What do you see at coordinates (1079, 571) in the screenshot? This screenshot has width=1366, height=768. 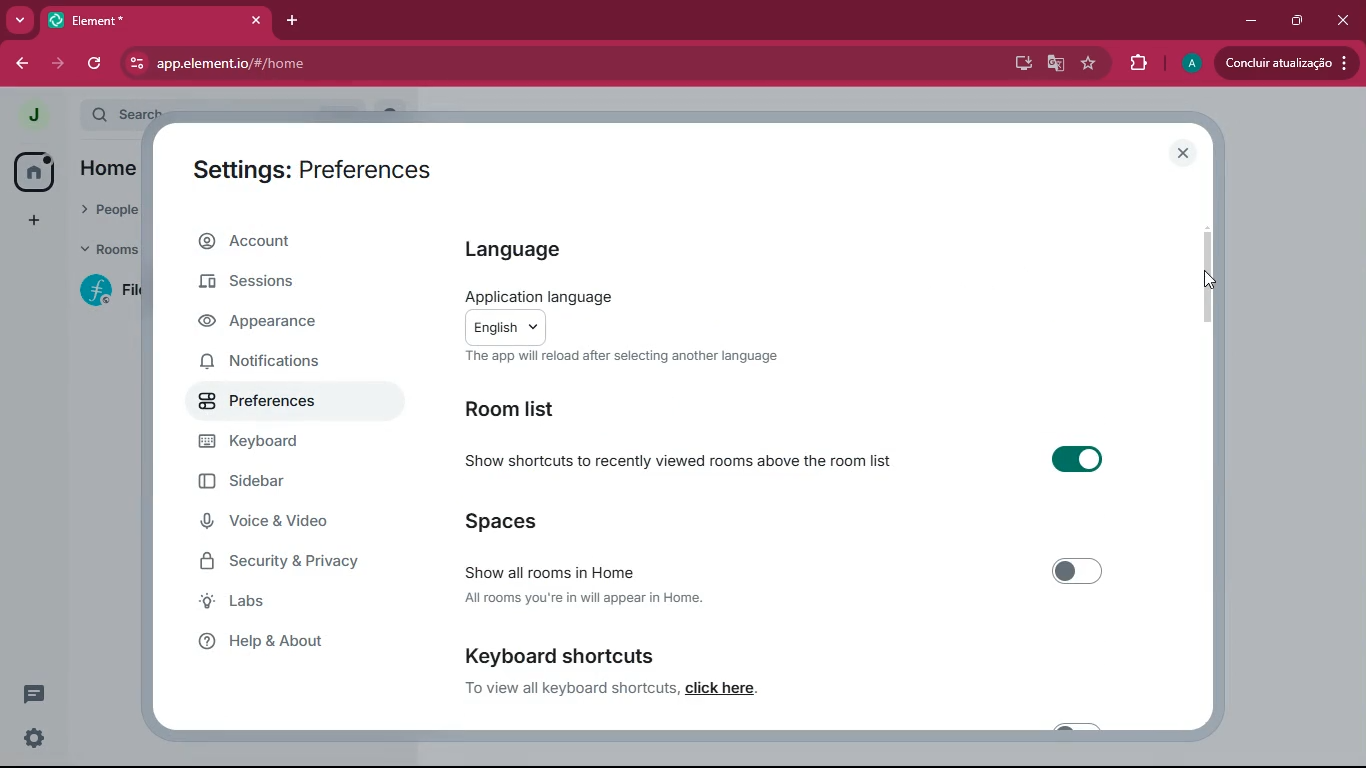 I see `toggle on/off` at bounding box center [1079, 571].